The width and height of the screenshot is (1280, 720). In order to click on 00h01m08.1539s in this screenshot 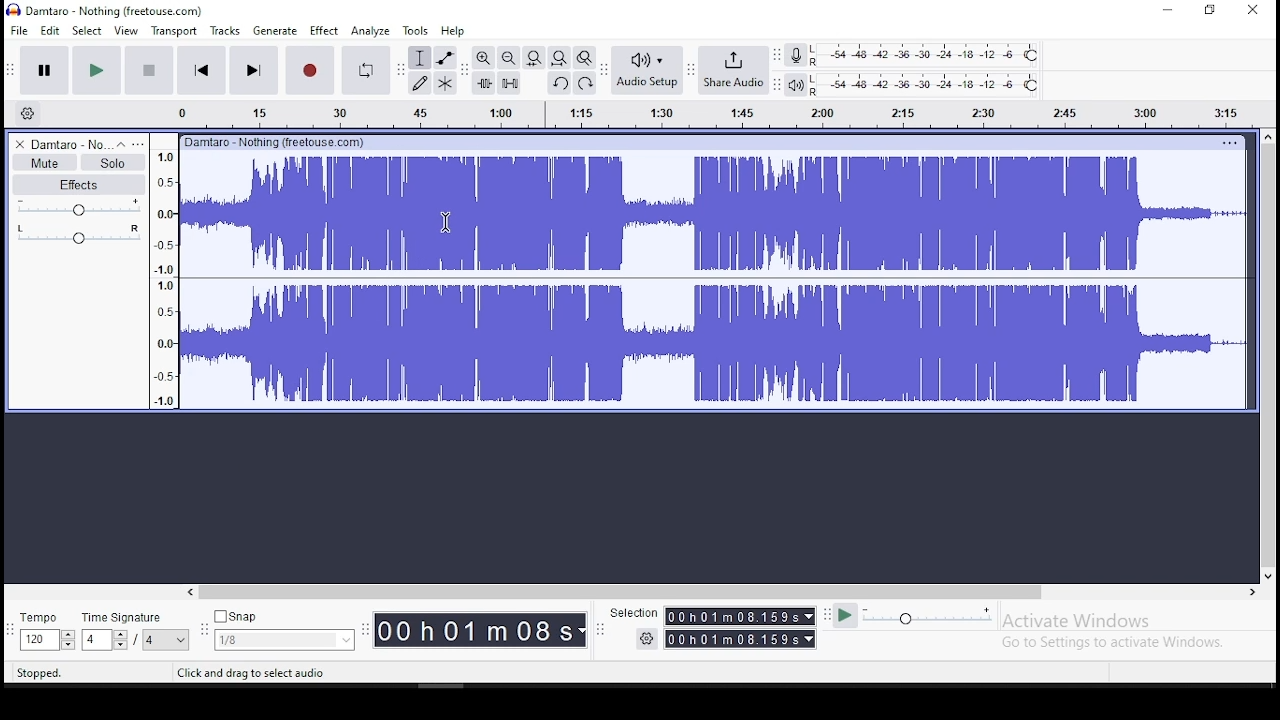, I will do `click(732, 616)`.